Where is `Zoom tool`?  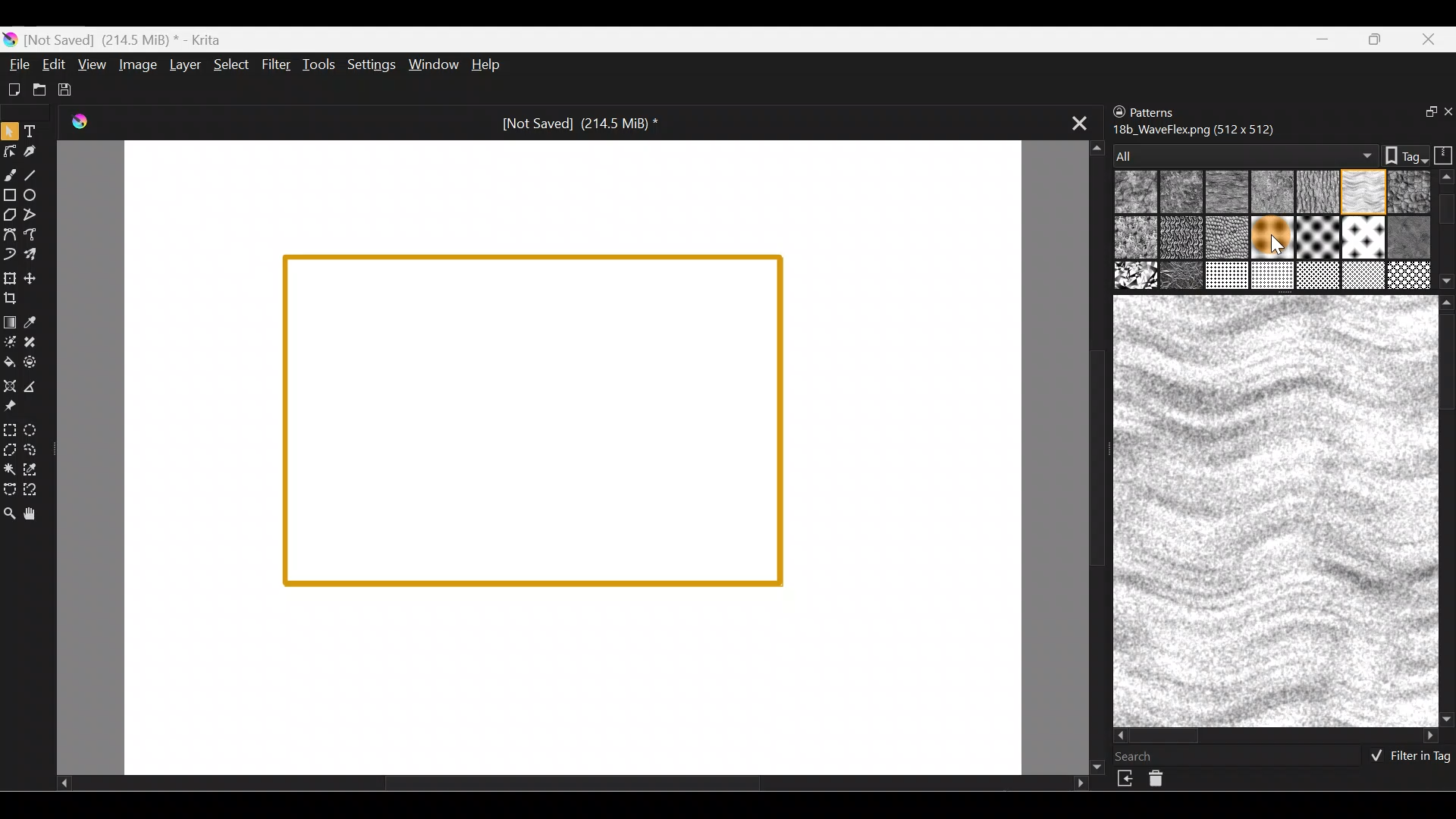 Zoom tool is located at coordinates (10, 515).